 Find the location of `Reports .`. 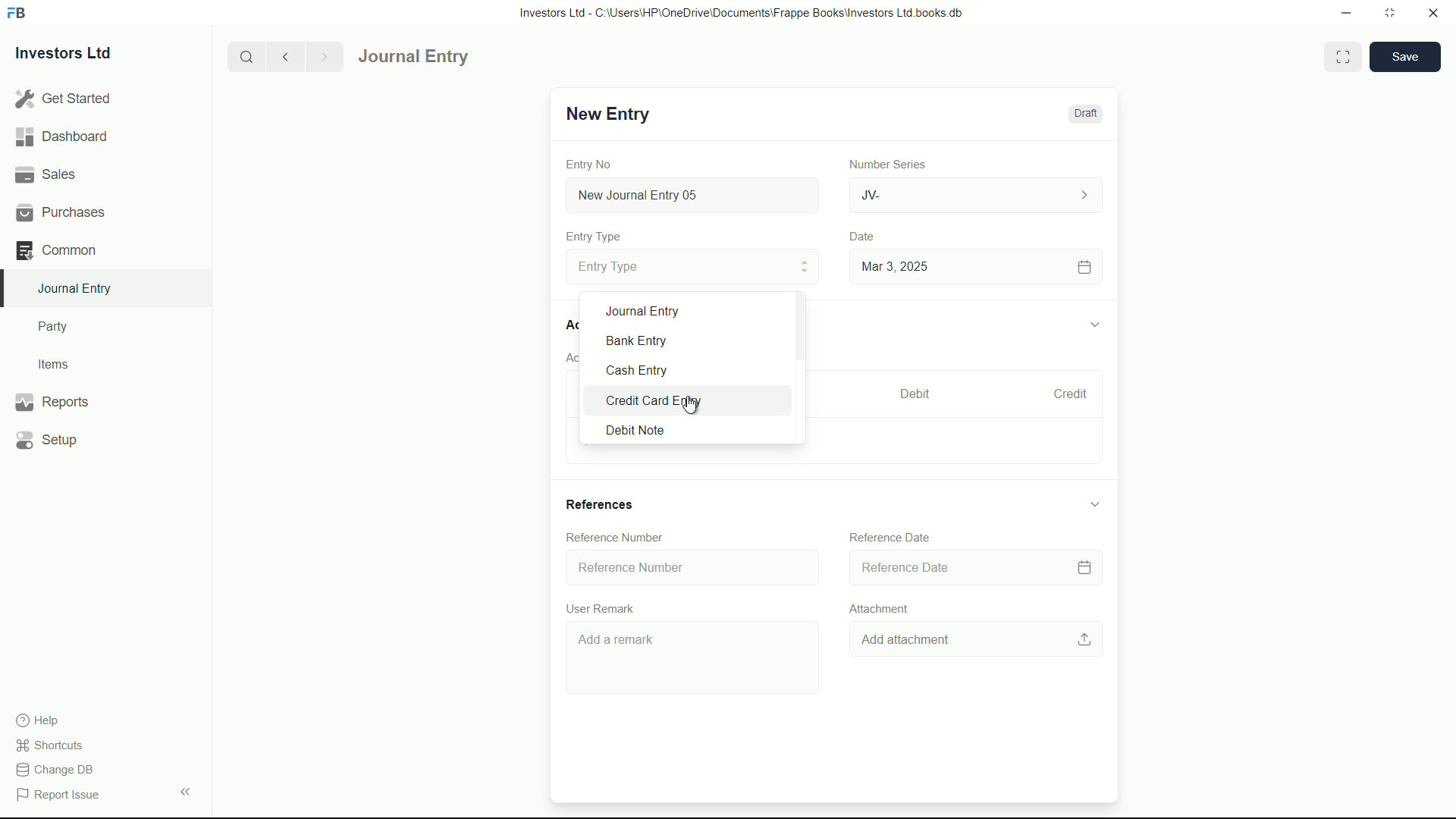

Reports . is located at coordinates (52, 400).